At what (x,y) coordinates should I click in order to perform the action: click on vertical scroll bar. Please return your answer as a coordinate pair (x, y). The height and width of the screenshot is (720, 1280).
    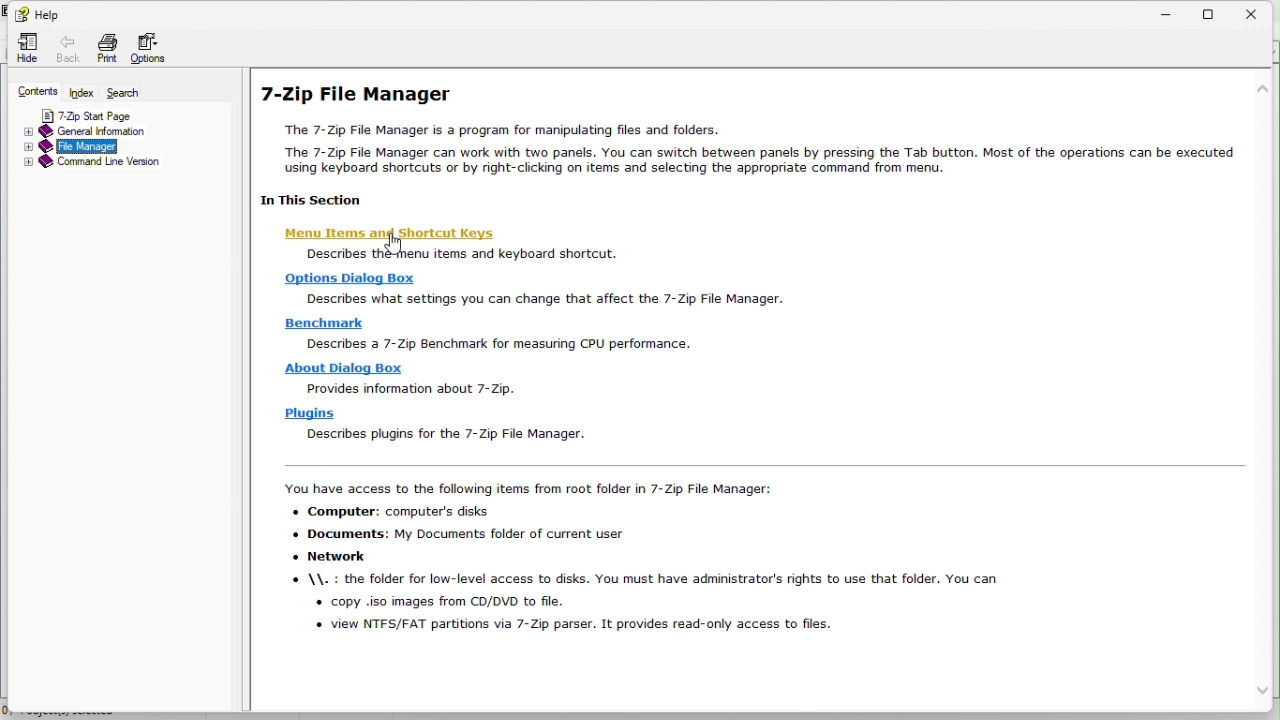
    Looking at the image, I should click on (1269, 391).